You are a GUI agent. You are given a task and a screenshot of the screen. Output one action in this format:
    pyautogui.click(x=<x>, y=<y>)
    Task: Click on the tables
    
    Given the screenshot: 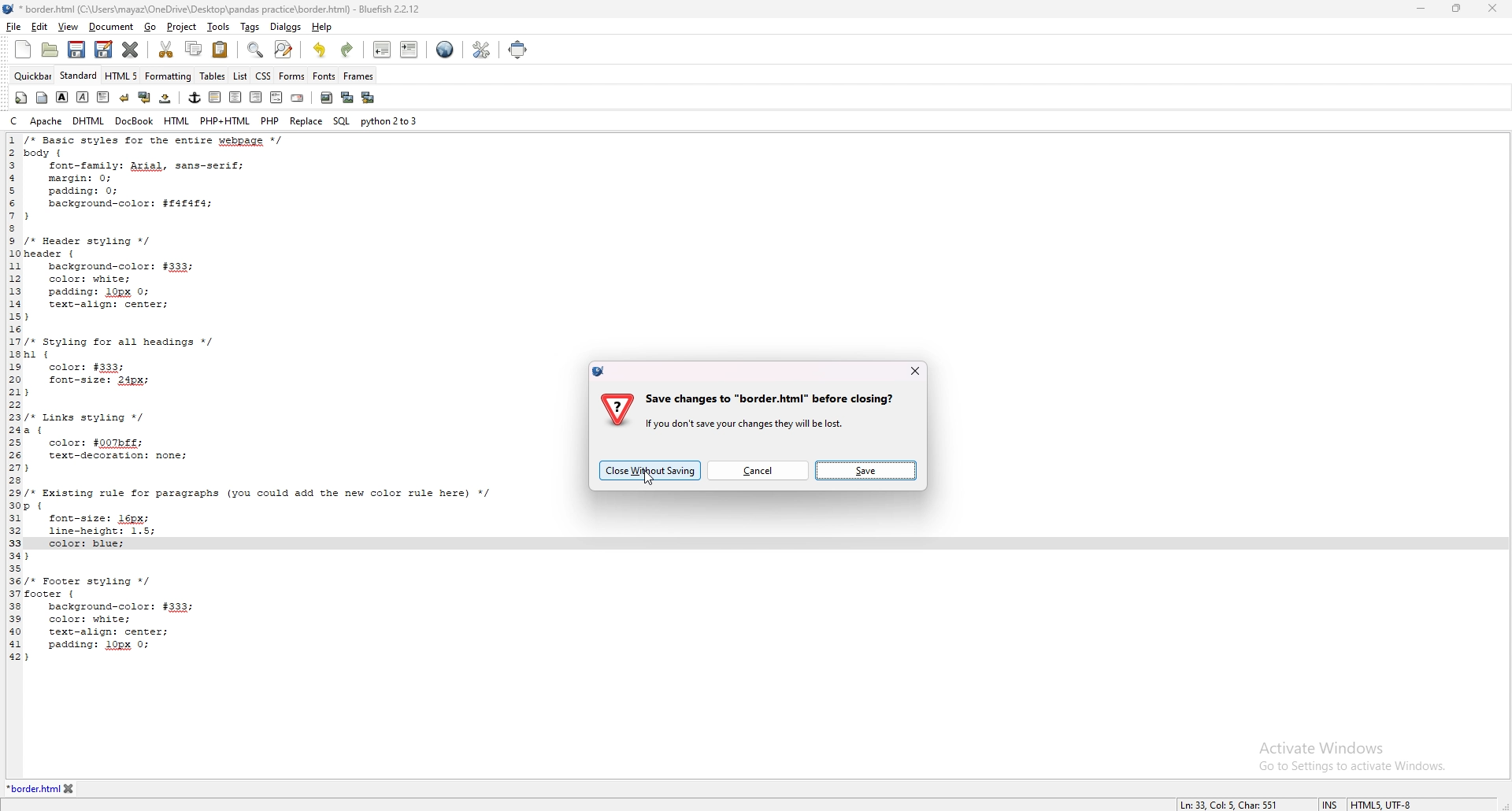 What is the action you would take?
    pyautogui.click(x=213, y=76)
    